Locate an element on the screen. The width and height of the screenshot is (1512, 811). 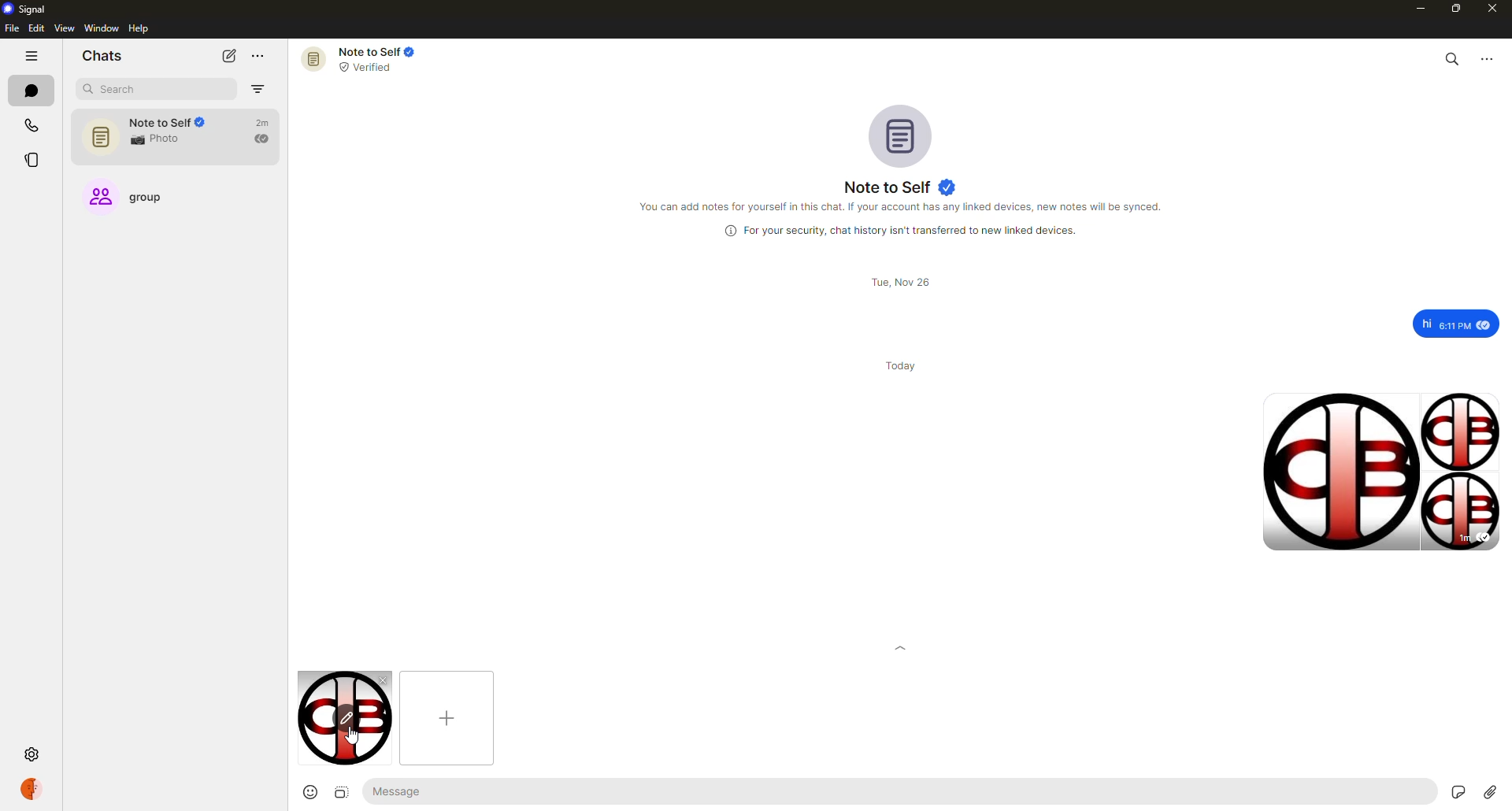
emoji is located at coordinates (308, 792).